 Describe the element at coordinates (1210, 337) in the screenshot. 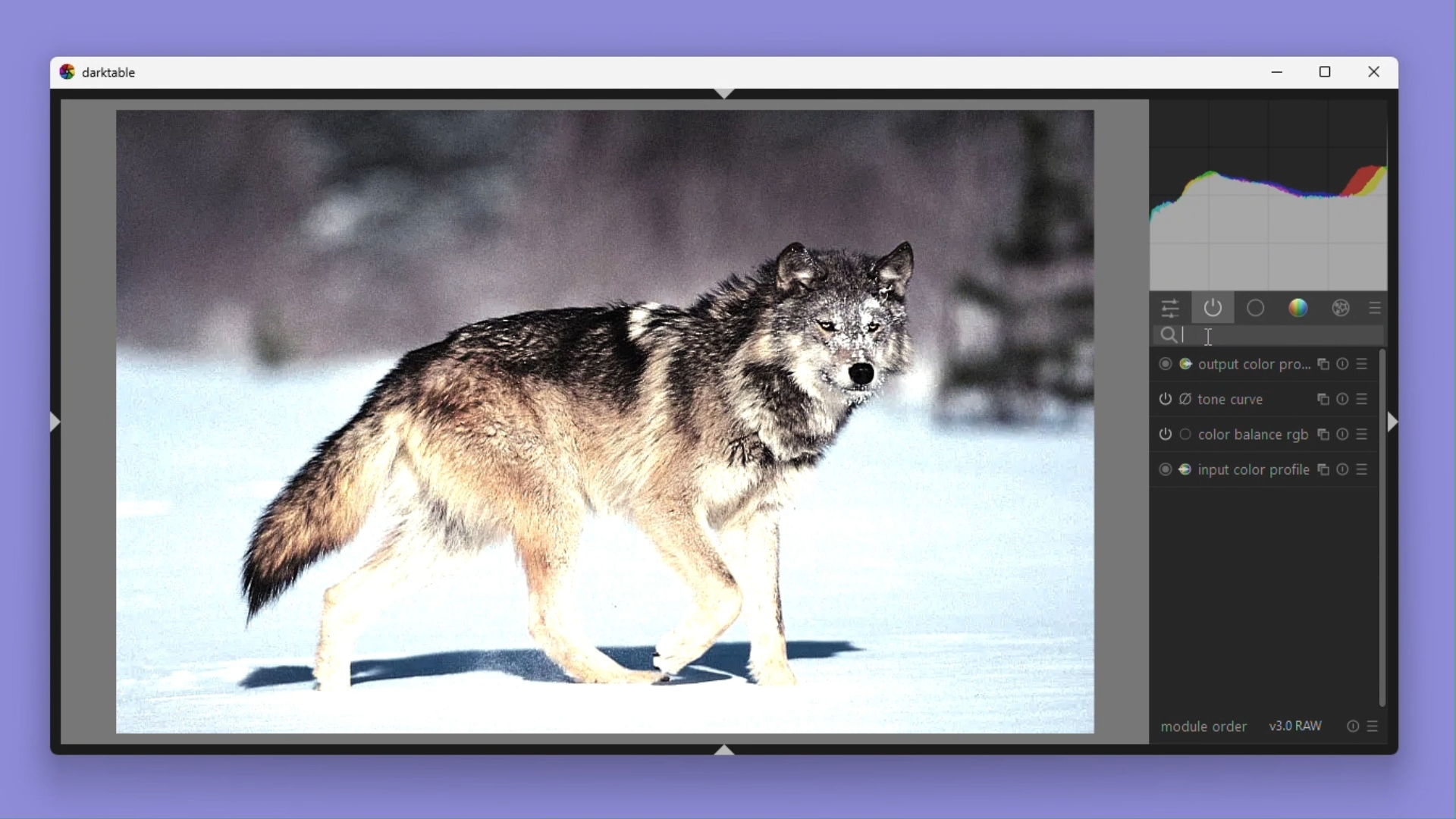

I see `text cursor` at that location.